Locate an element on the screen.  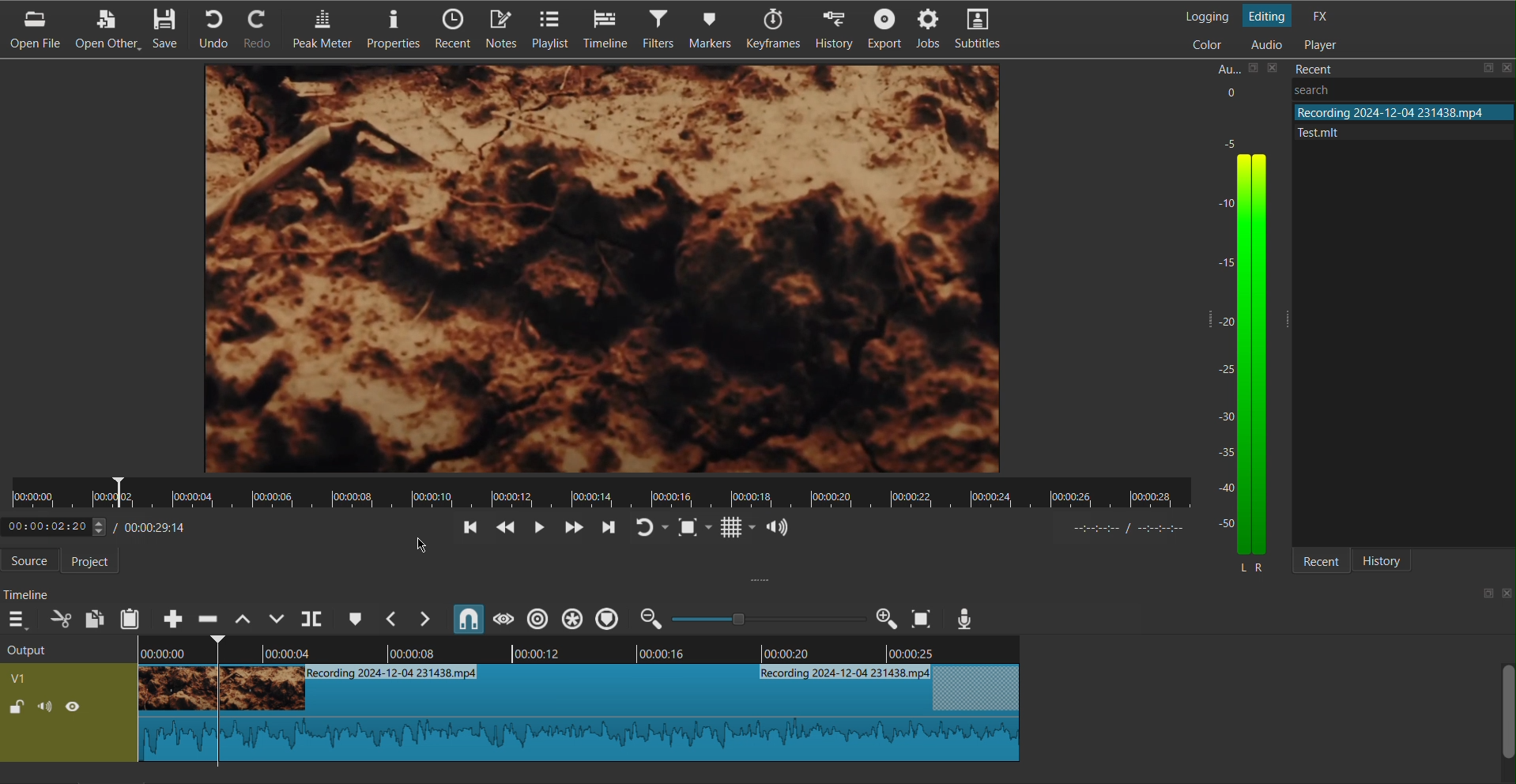
file is located at coordinates (1401, 111).